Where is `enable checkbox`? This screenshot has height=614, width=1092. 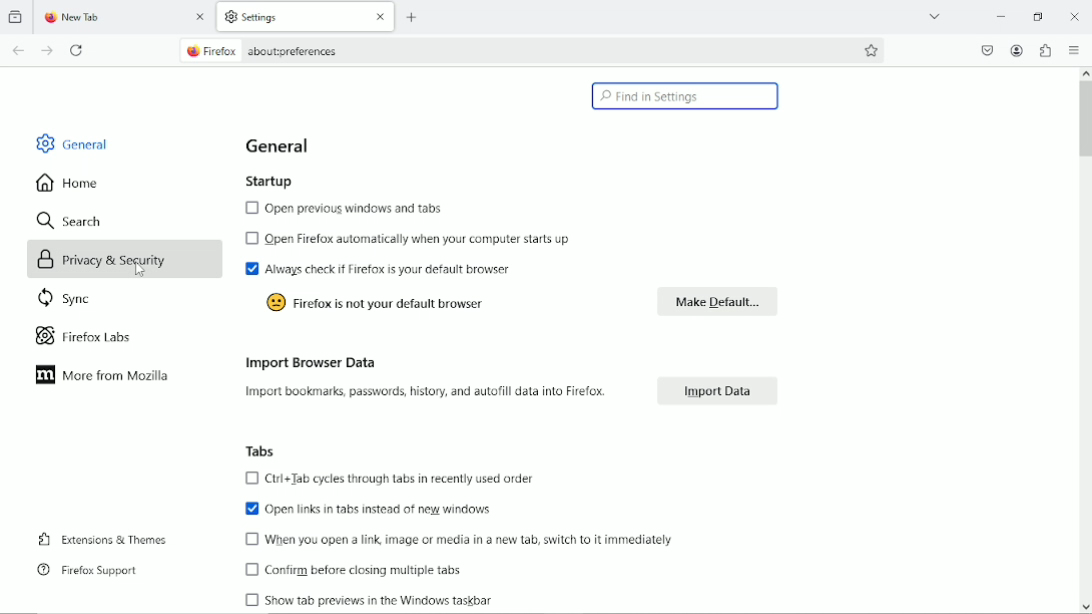 enable checkbox is located at coordinates (249, 507).